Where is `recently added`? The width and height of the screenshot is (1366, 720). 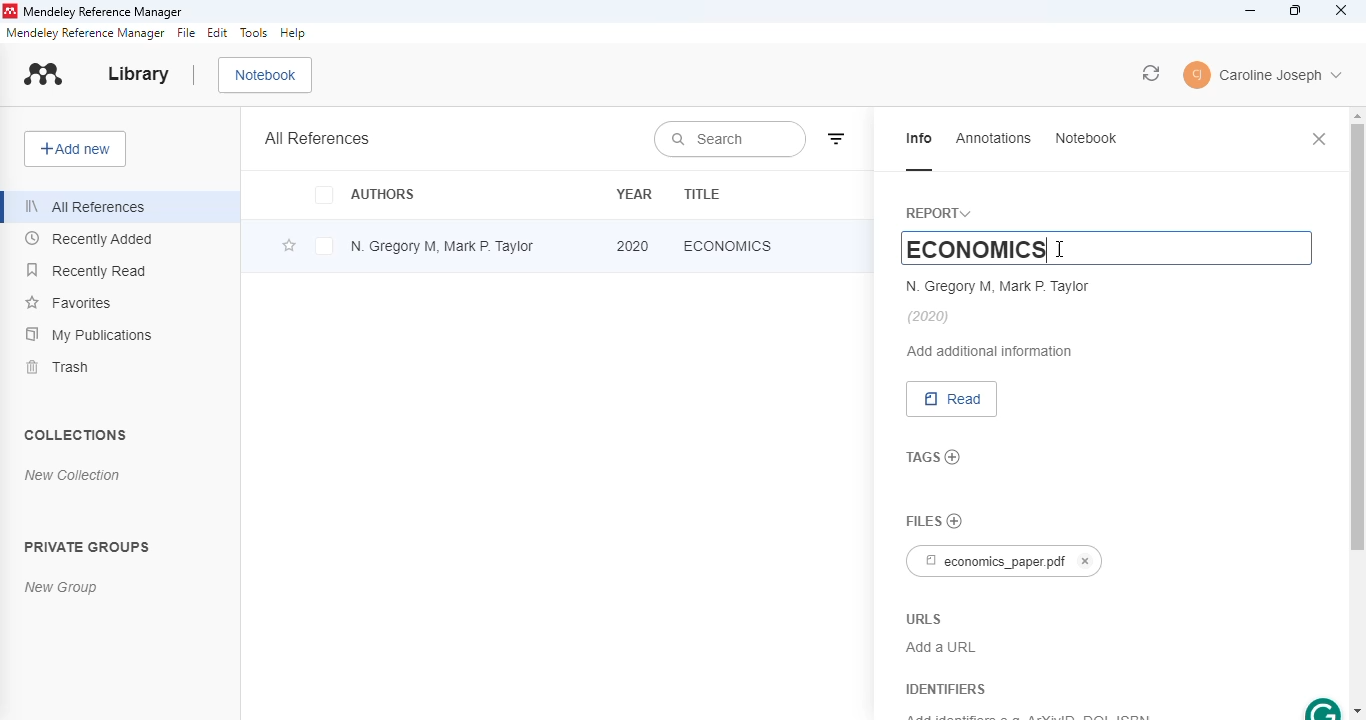
recently added is located at coordinates (88, 239).